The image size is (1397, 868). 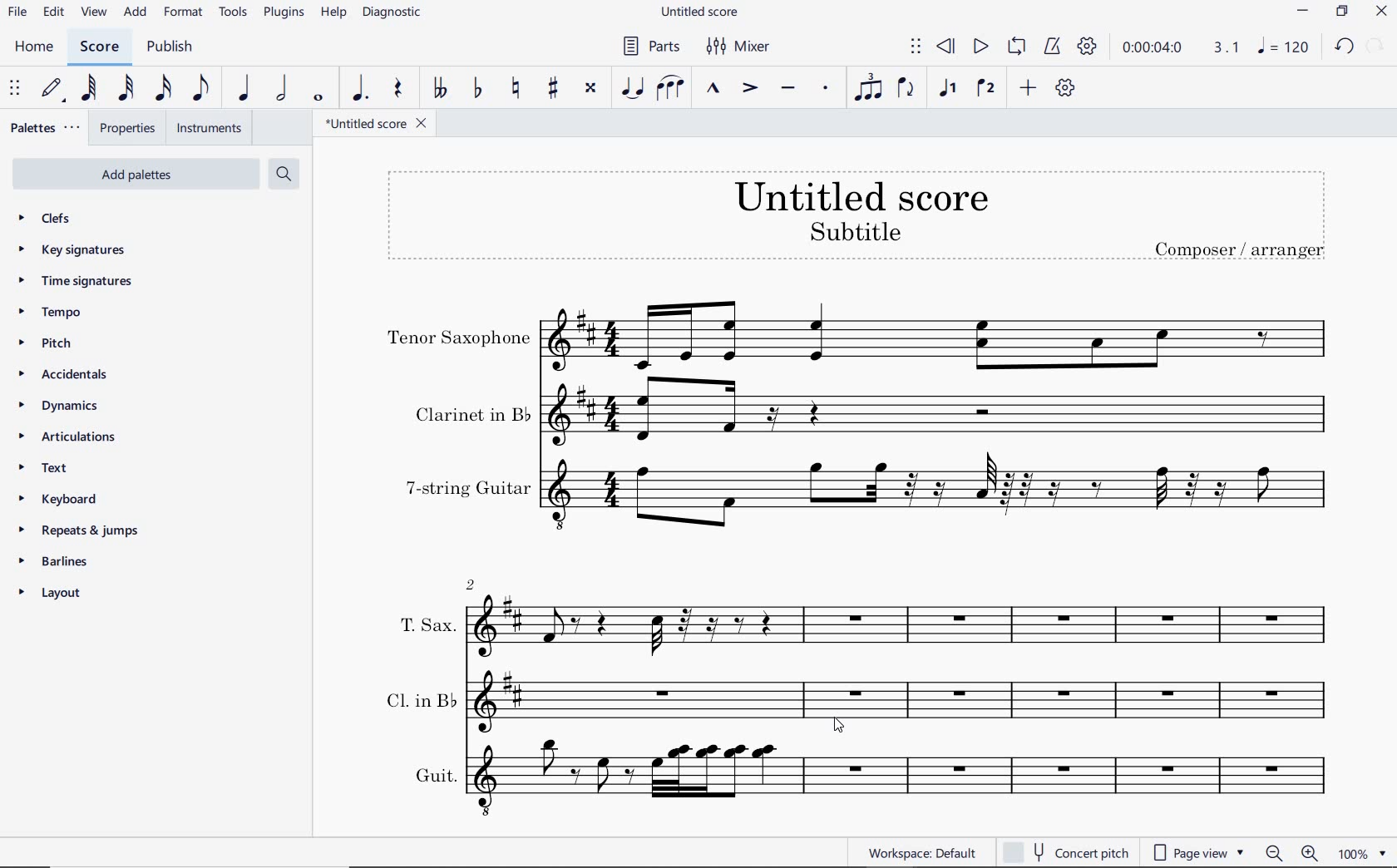 I want to click on 16TH NOTE, so click(x=165, y=89).